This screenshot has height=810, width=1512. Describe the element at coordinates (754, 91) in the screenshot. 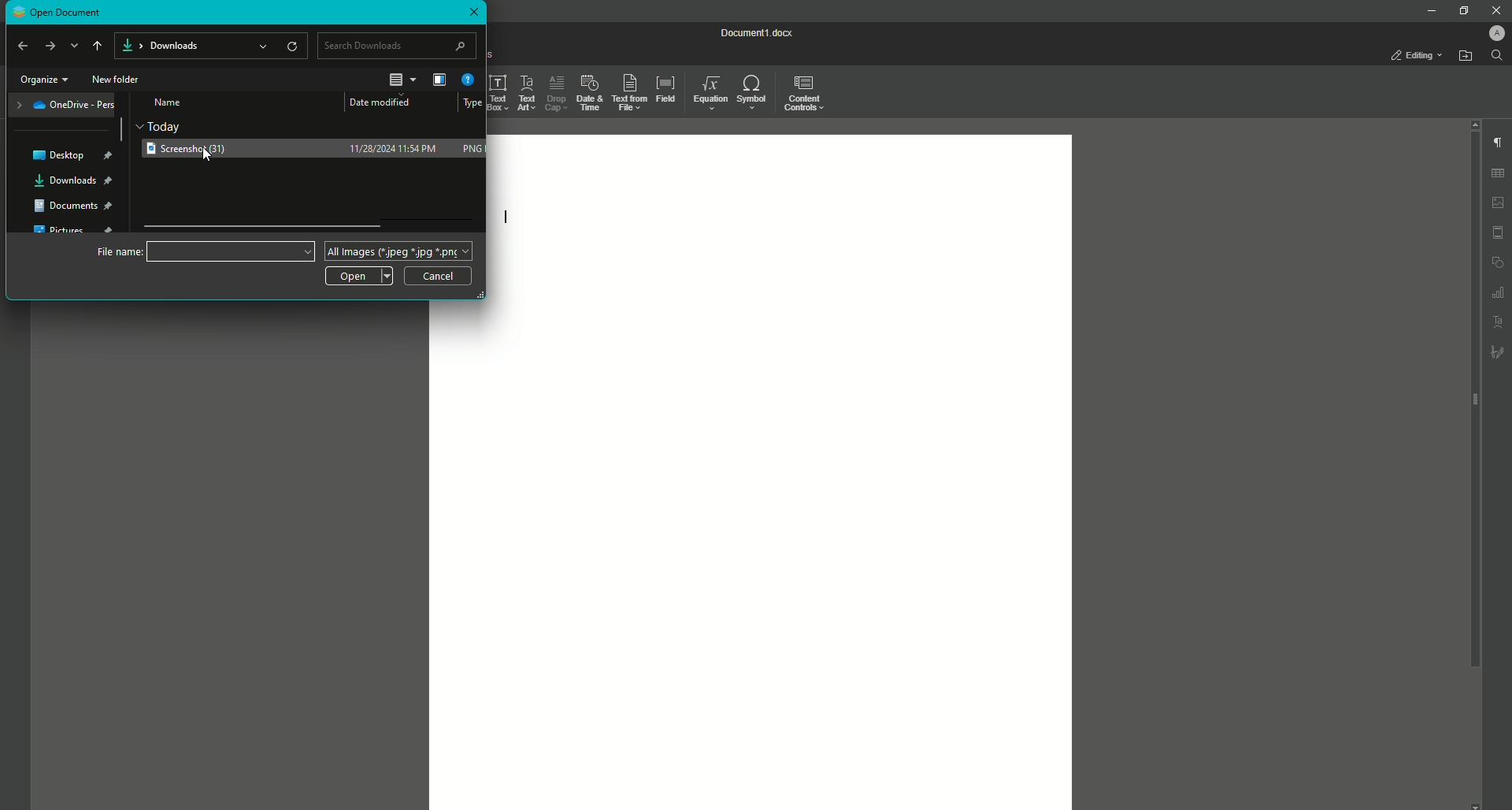

I see `Symbol` at that location.